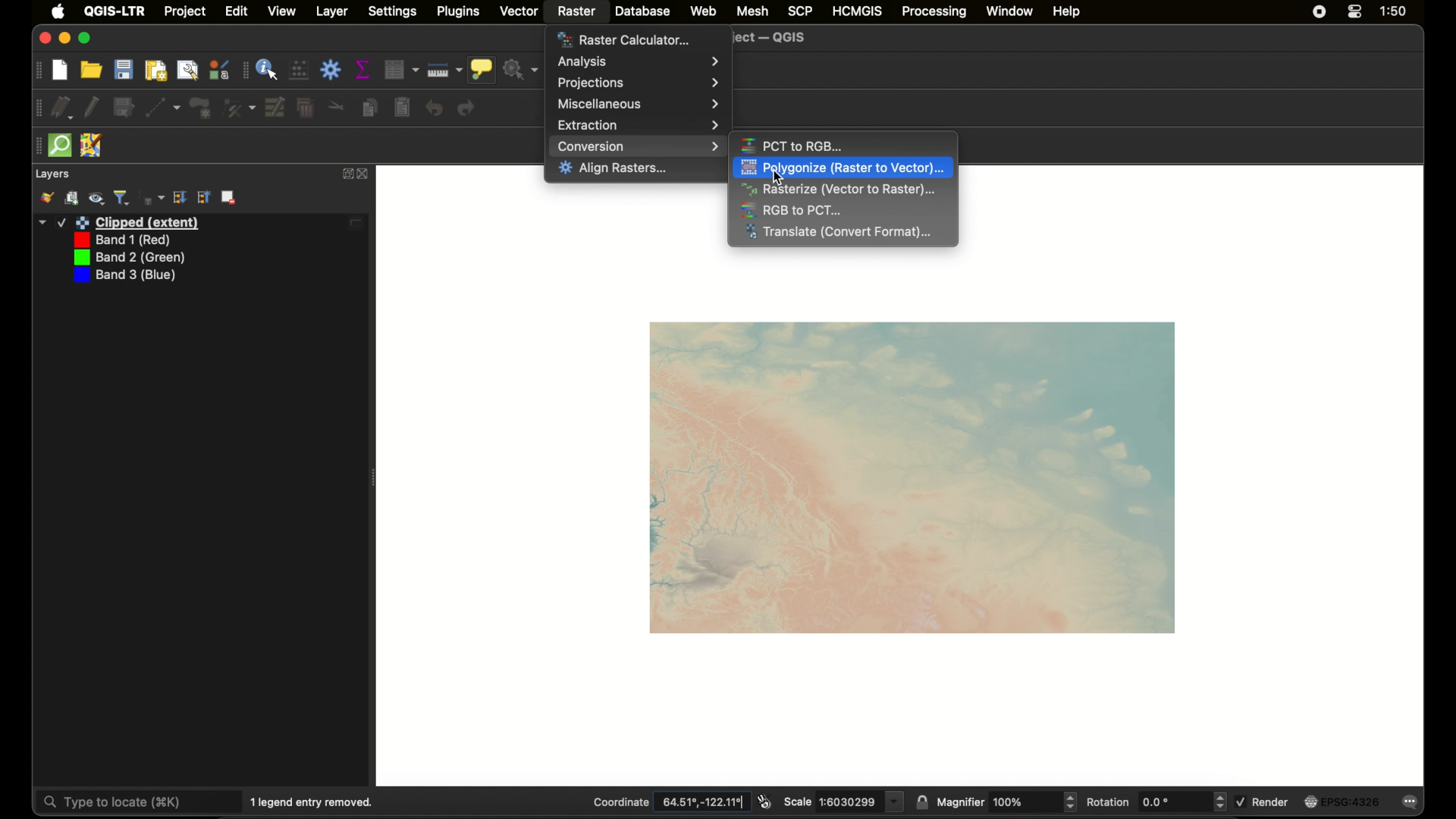 The width and height of the screenshot is (1456, 819). Describe the element at coordinates (186, 12) in the screenshot. I see `project` at that location.